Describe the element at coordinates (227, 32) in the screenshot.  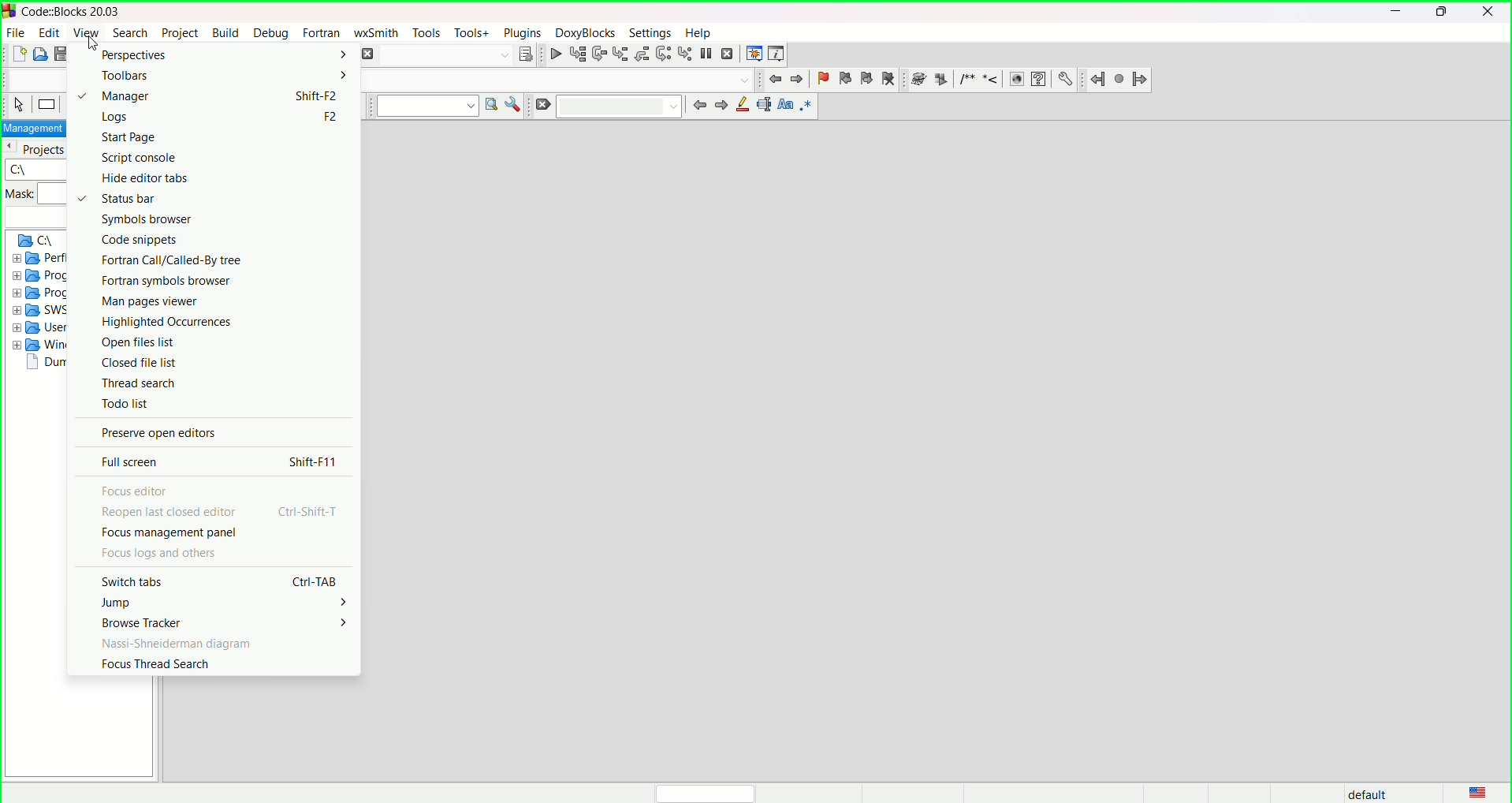
I see `build` at that location.